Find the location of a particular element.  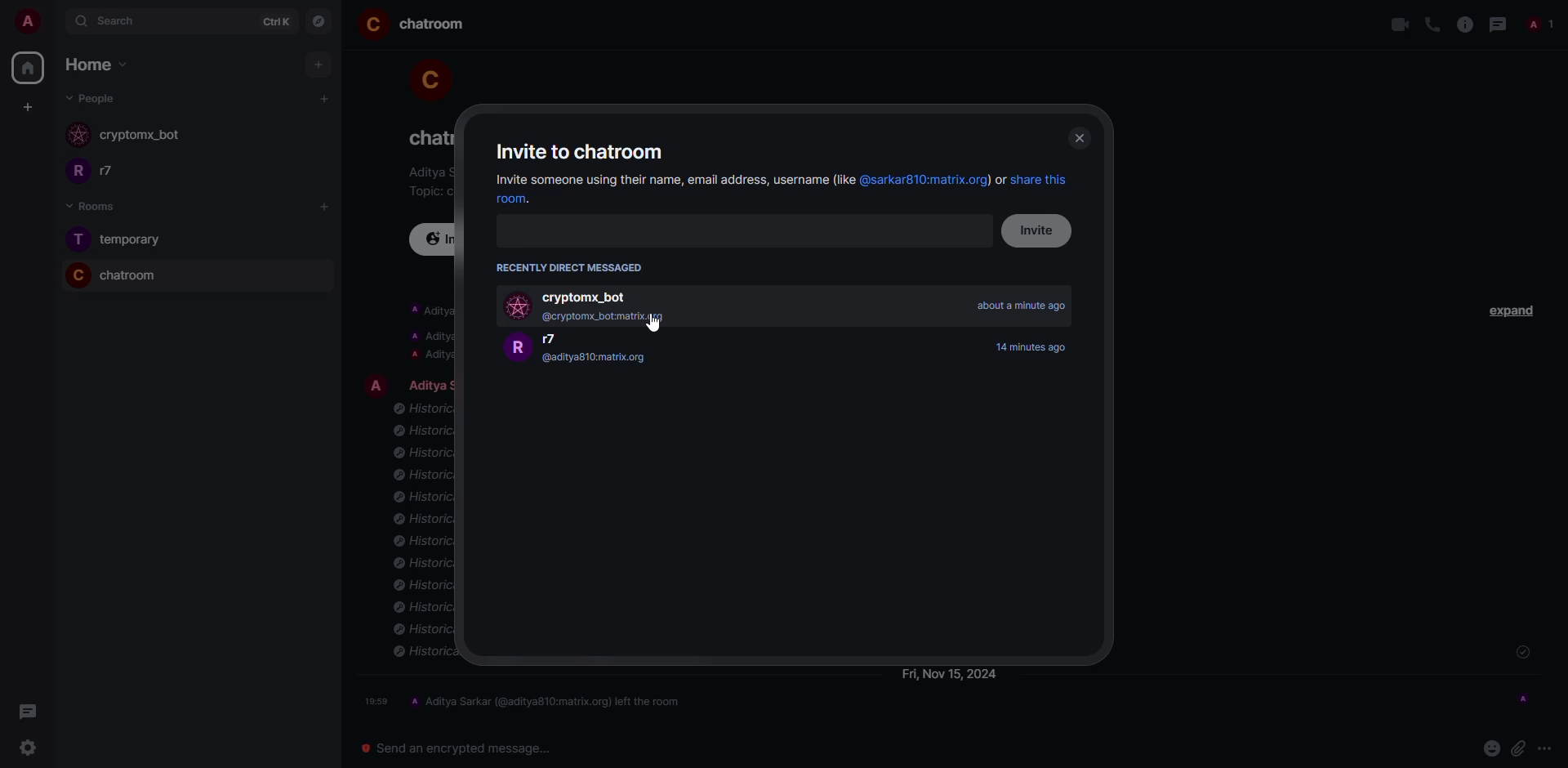

info is located at coordinates (1463, 25).